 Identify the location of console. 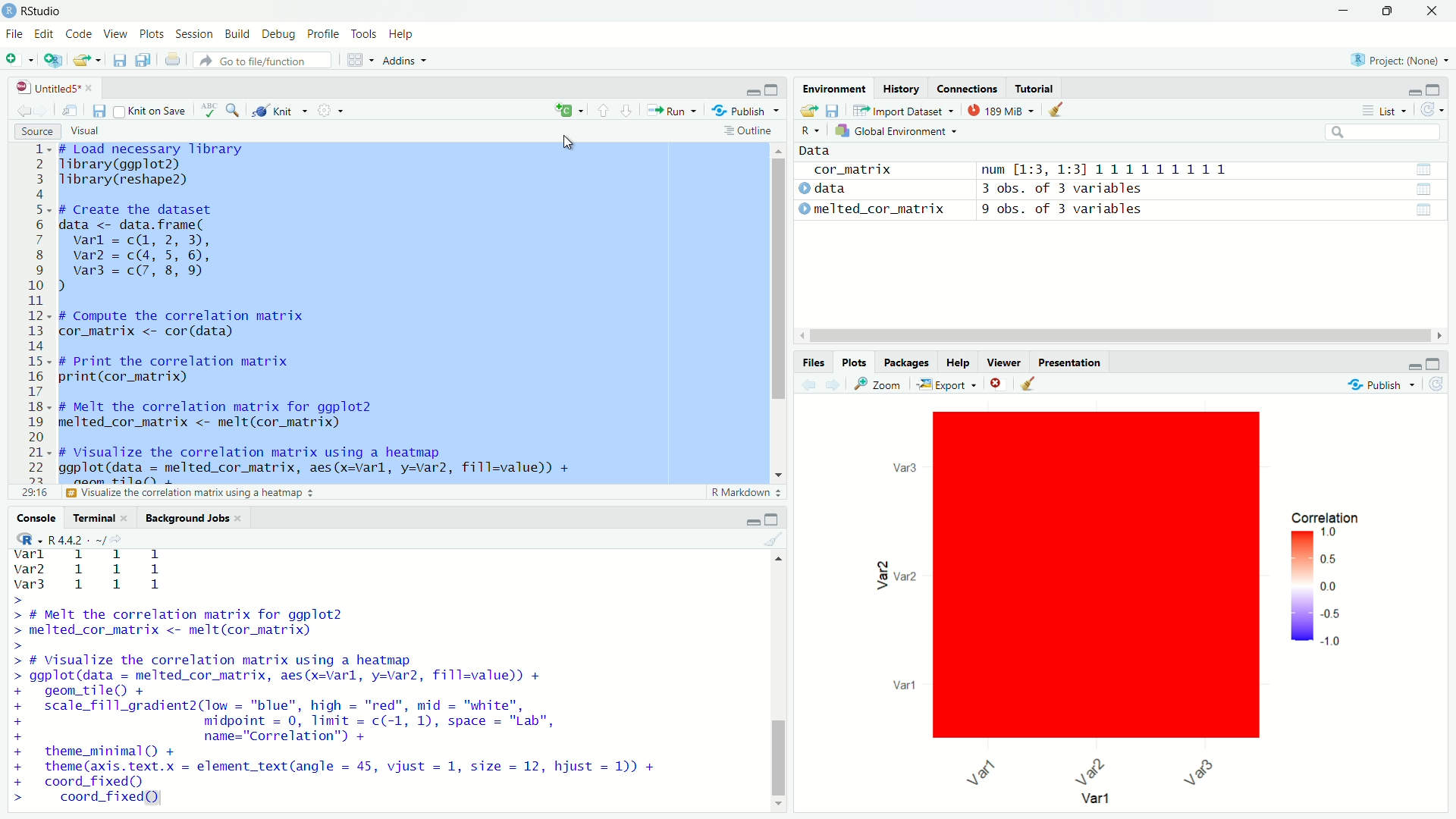
(38, 518).